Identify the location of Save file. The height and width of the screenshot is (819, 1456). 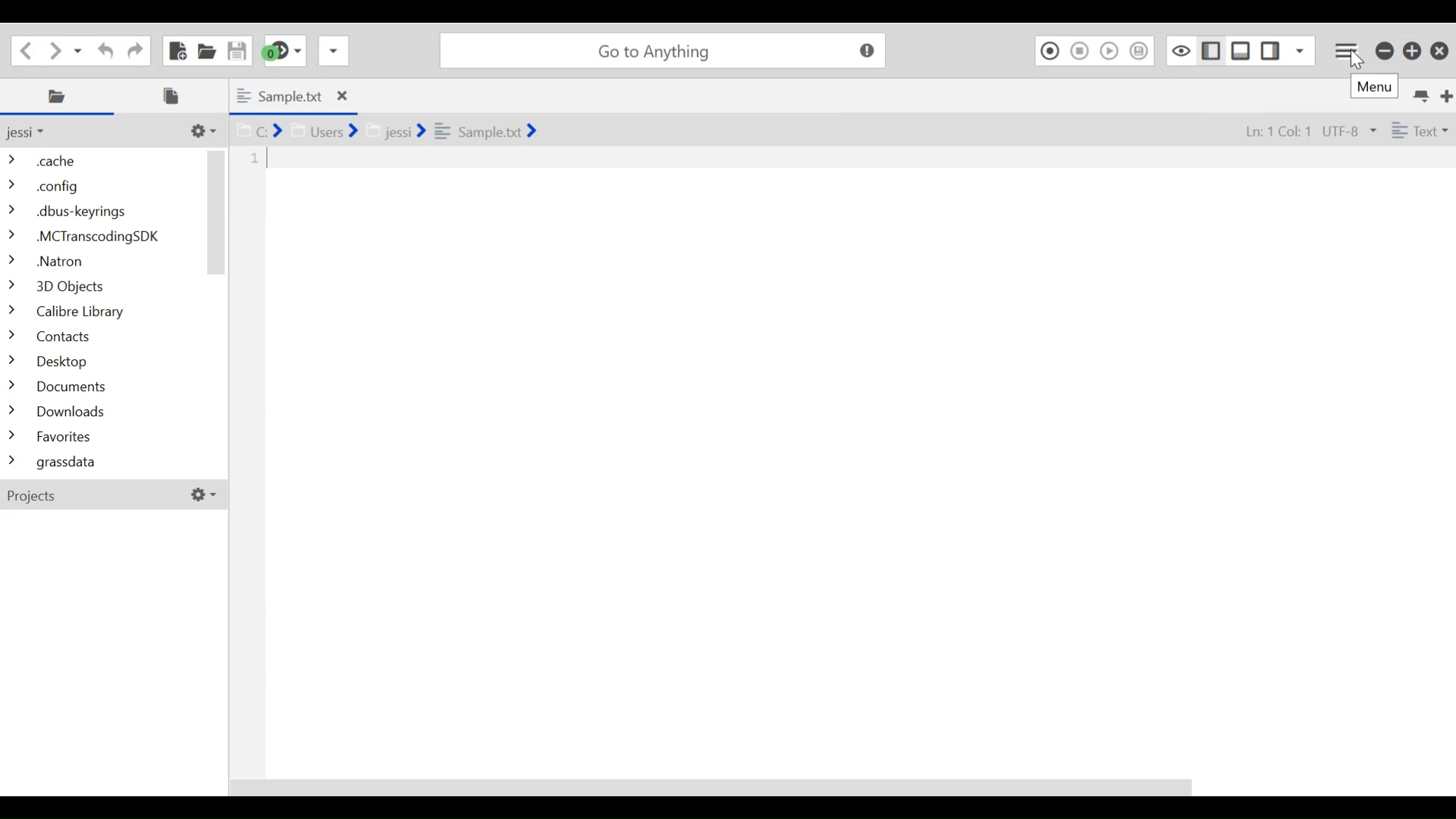
(235, 49).